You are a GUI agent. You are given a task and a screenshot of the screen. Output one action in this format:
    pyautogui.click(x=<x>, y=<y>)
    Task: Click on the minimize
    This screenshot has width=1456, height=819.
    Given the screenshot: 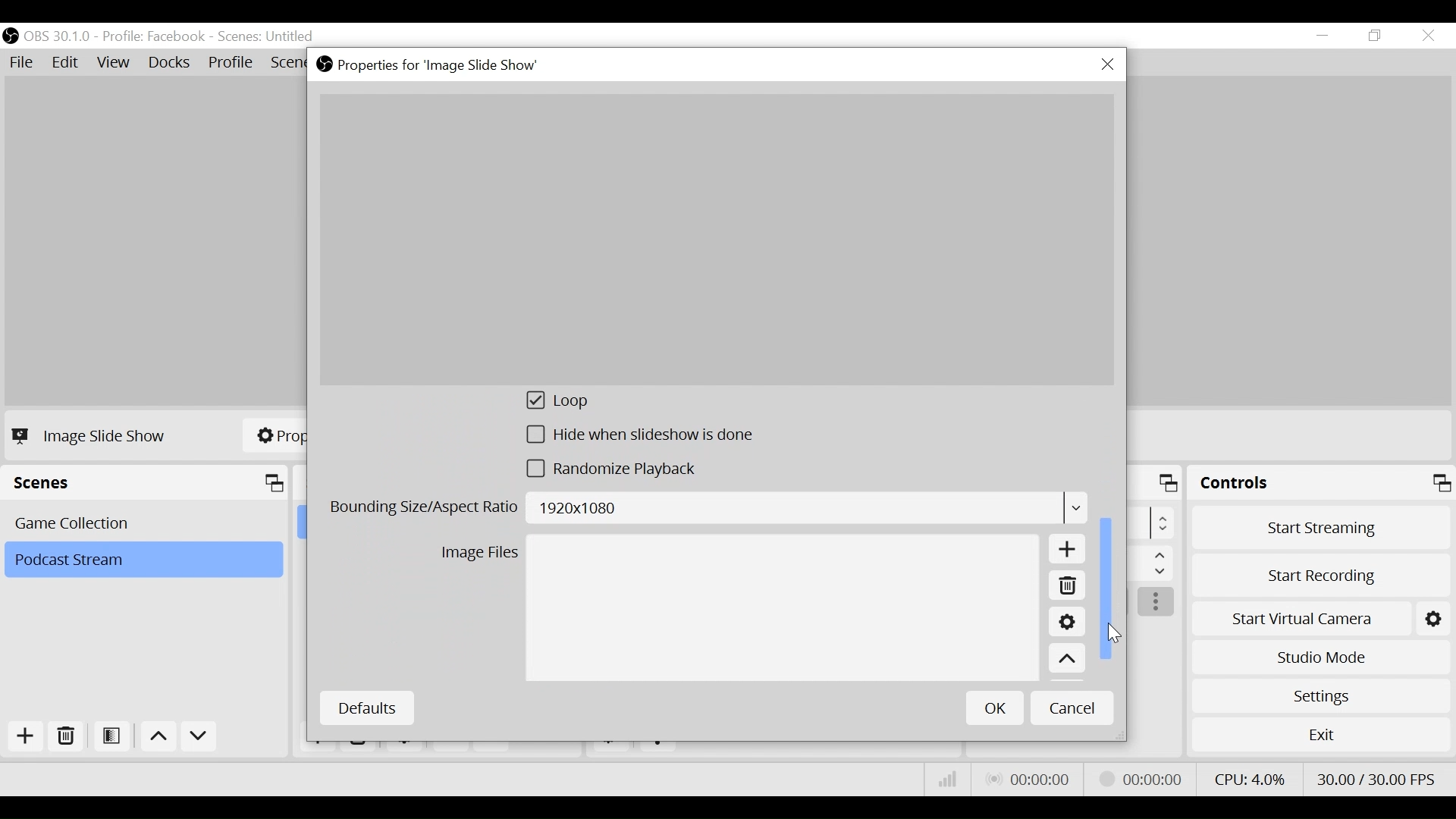 What is the action you would take?
    pyautogui.click(x=1326, y=36)
    